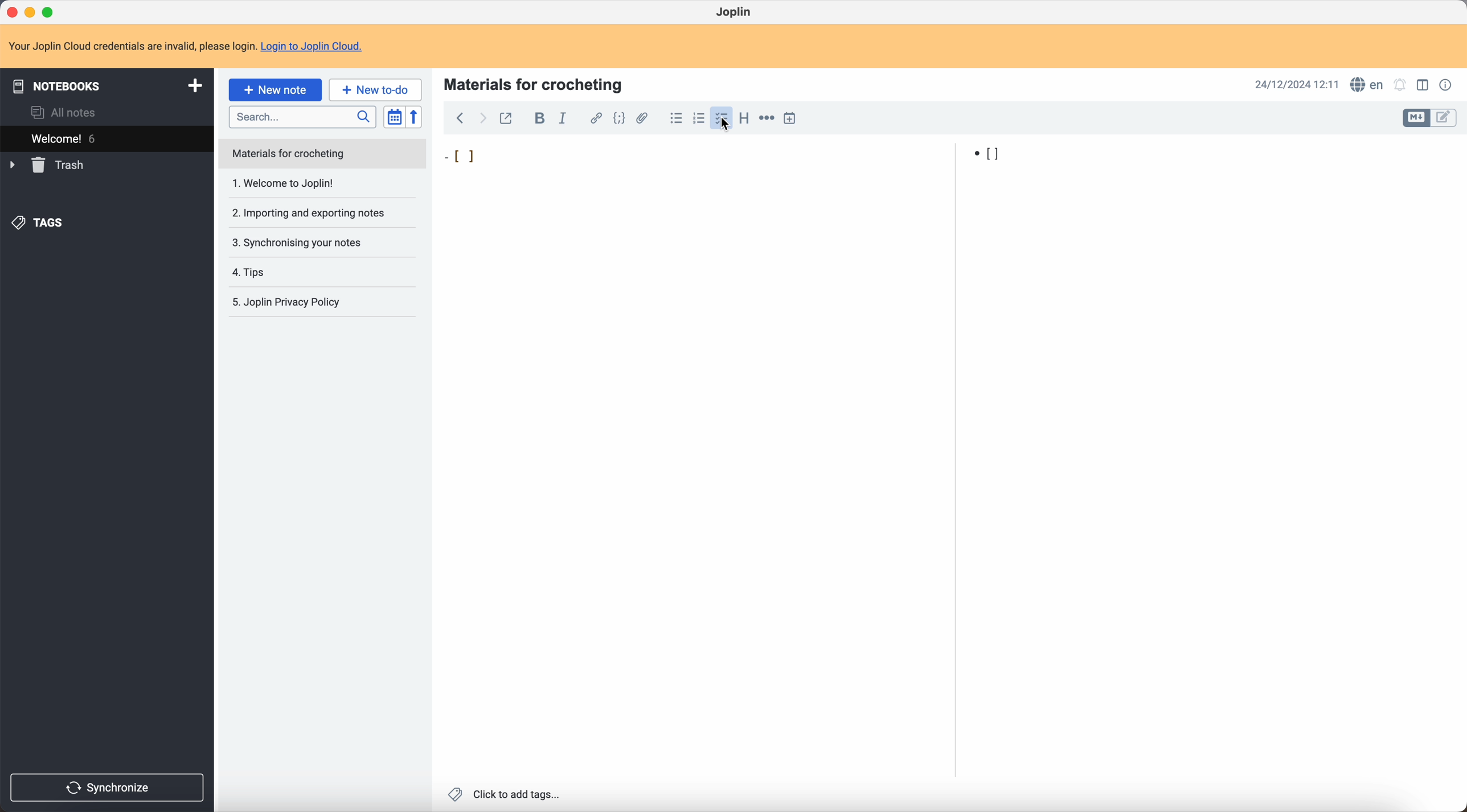  Describe the element at coordinates (698, 118) in the screenshot. I see `numbered list` at that location.